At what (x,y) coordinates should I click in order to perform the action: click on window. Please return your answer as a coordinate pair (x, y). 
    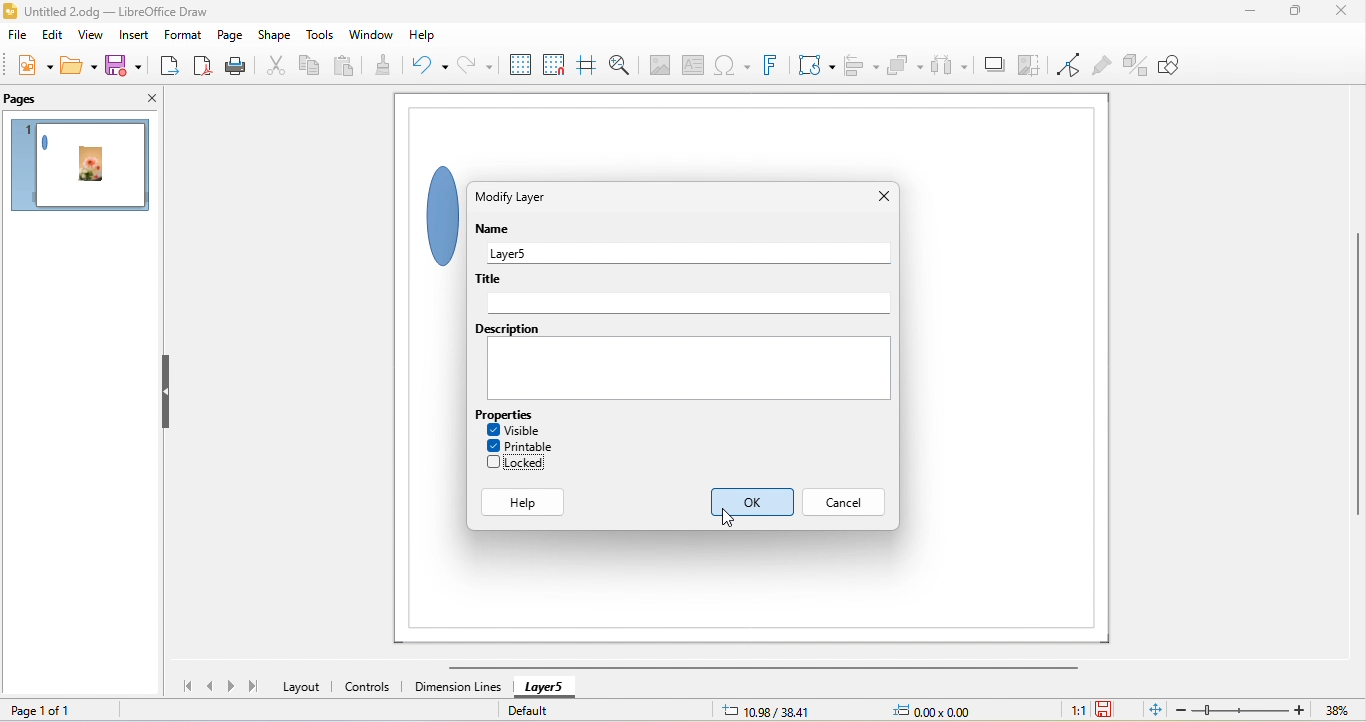
    Looking at the image, I should click on (370, 35).